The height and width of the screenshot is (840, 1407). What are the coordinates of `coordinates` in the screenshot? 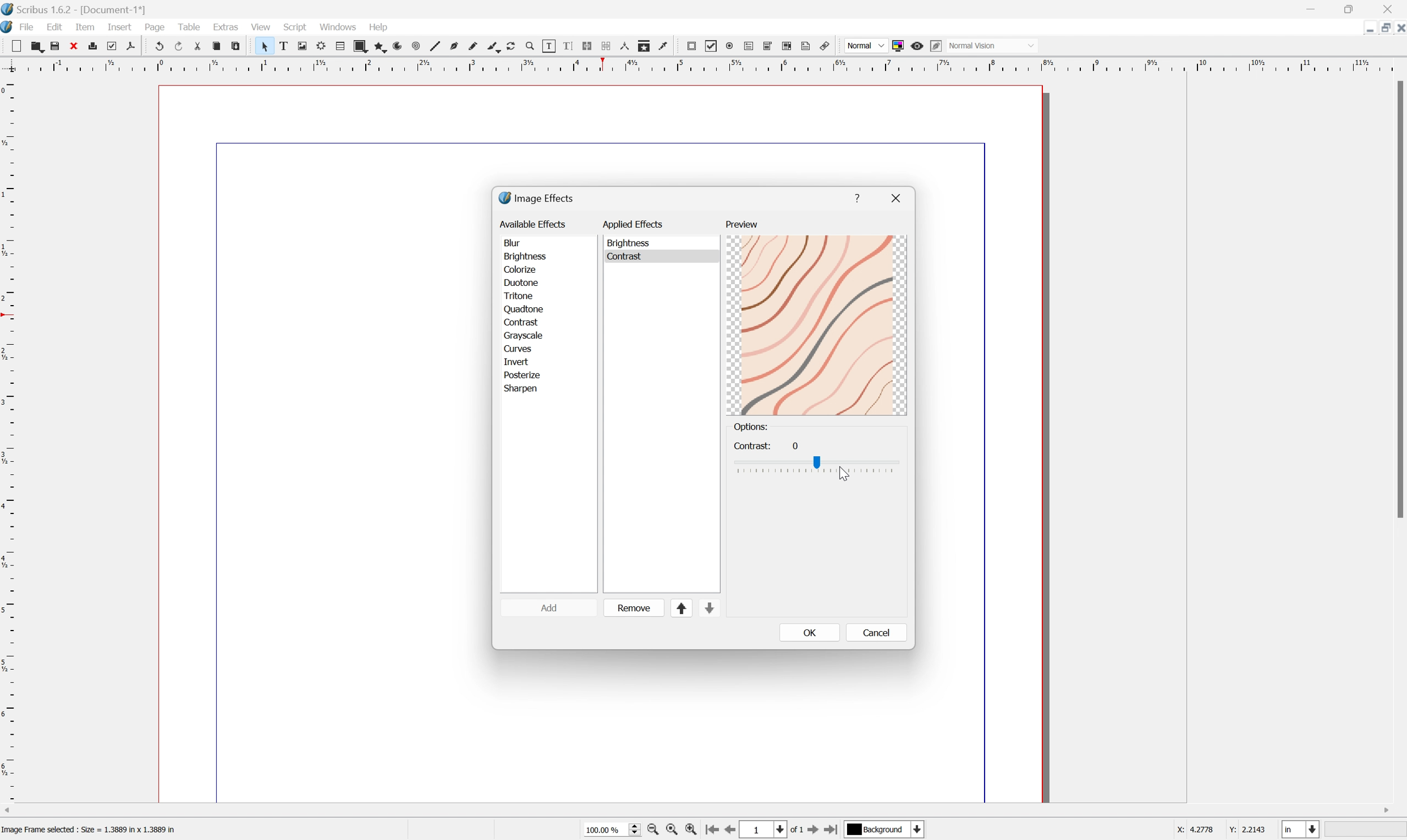 It's located at (1221, 832).